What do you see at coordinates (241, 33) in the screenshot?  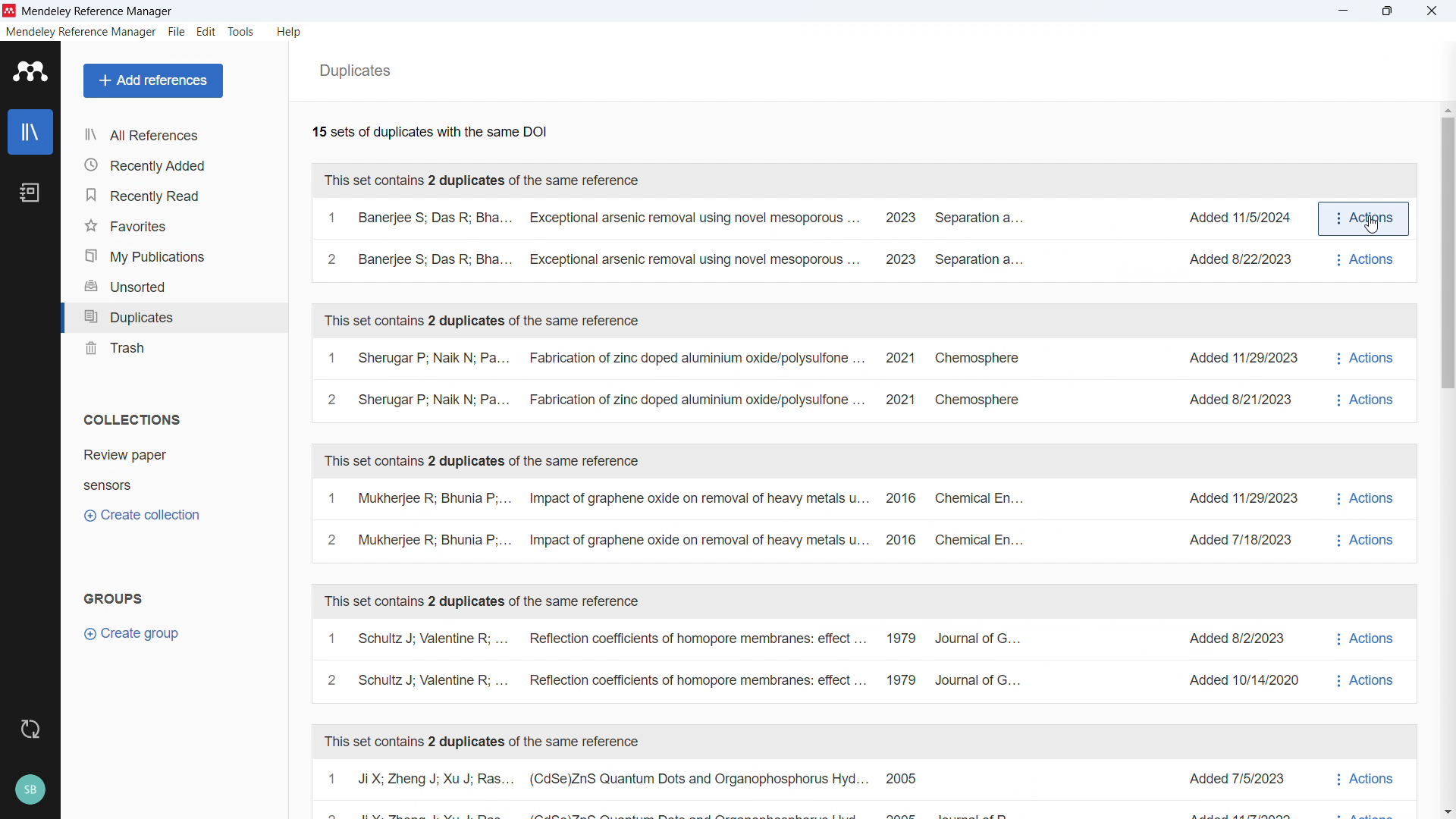 I see `Tools ` at bounding box center [241, 33].